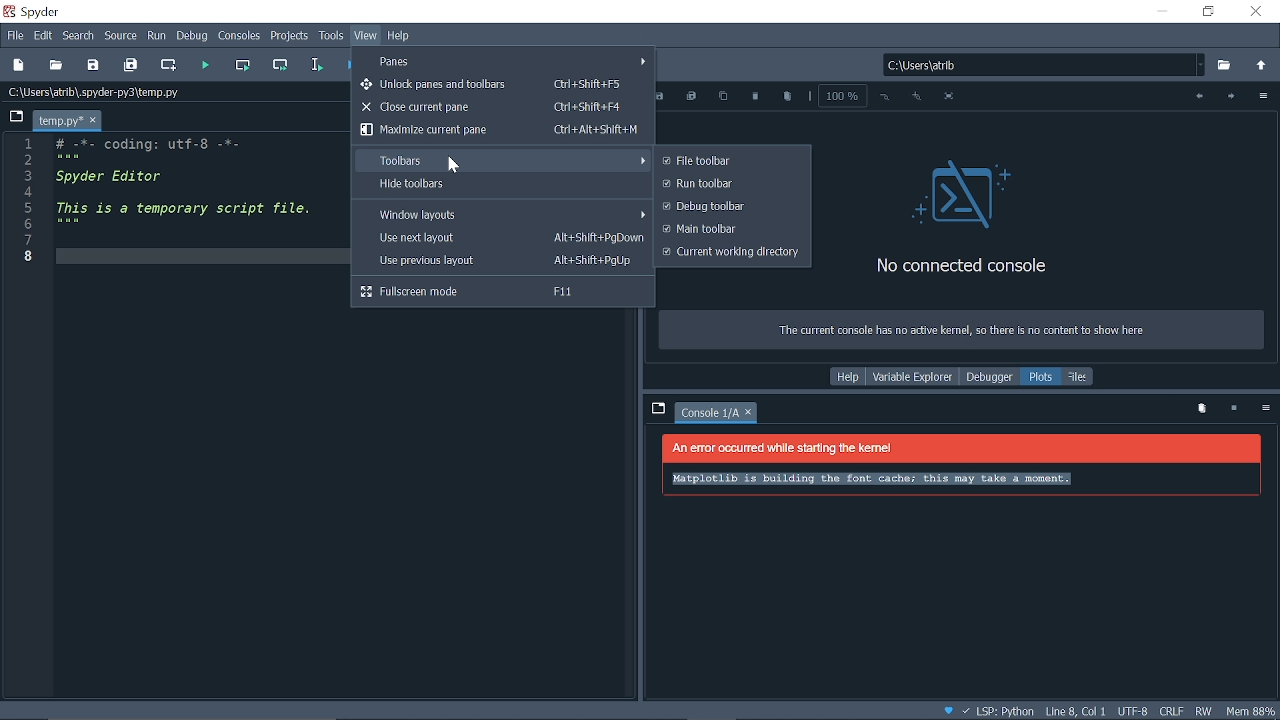 This screenshot has width=1280, height=720. What do you see at coordinates (848, 377) in the screenshot?
I see `Help` at bounding box center [848, 377].